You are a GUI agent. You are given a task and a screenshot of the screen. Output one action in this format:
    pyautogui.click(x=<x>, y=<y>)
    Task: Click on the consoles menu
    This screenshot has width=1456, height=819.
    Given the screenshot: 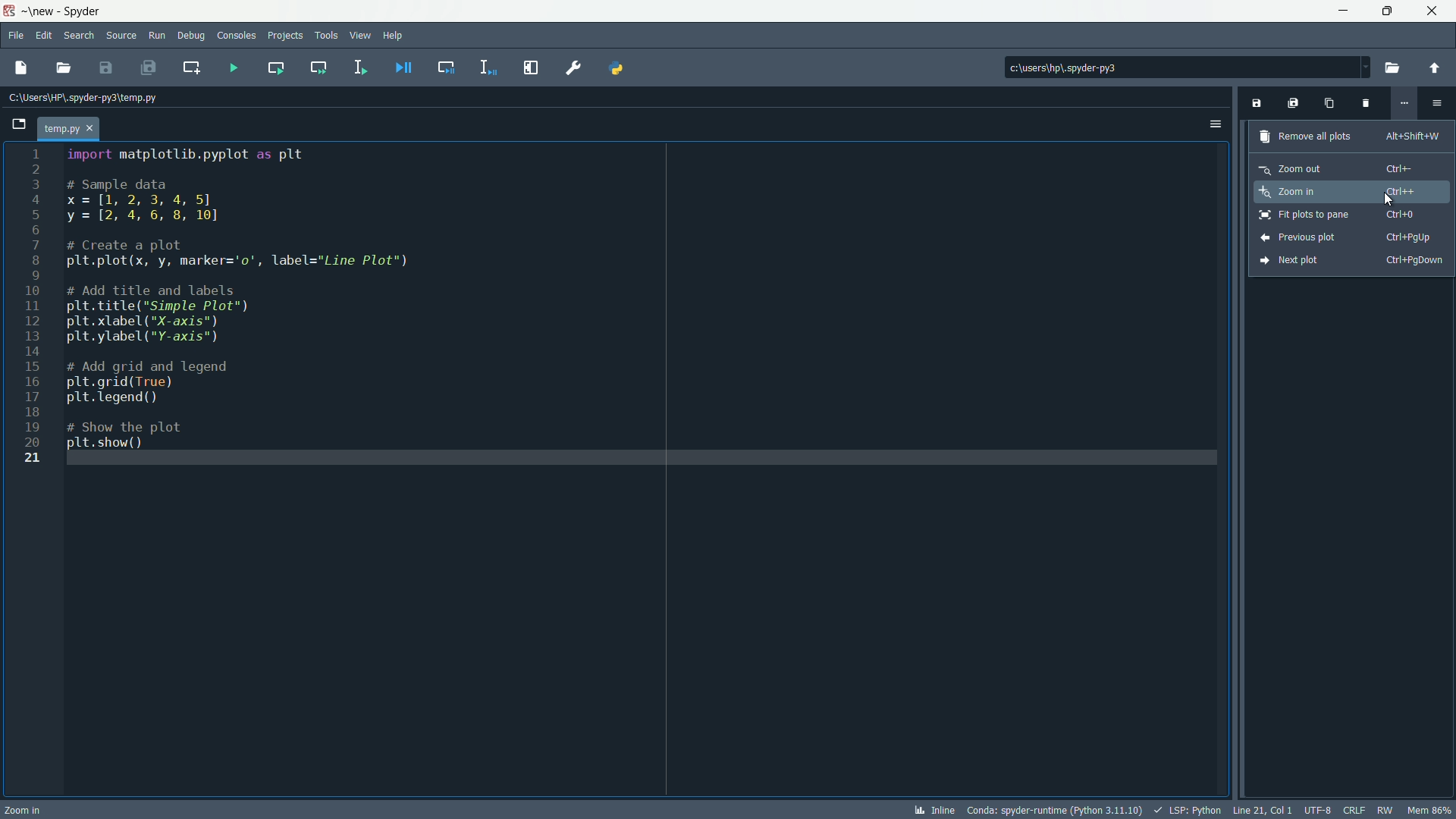 What is the action you would take?
    pyautogui.click(x=235, y=35)
    